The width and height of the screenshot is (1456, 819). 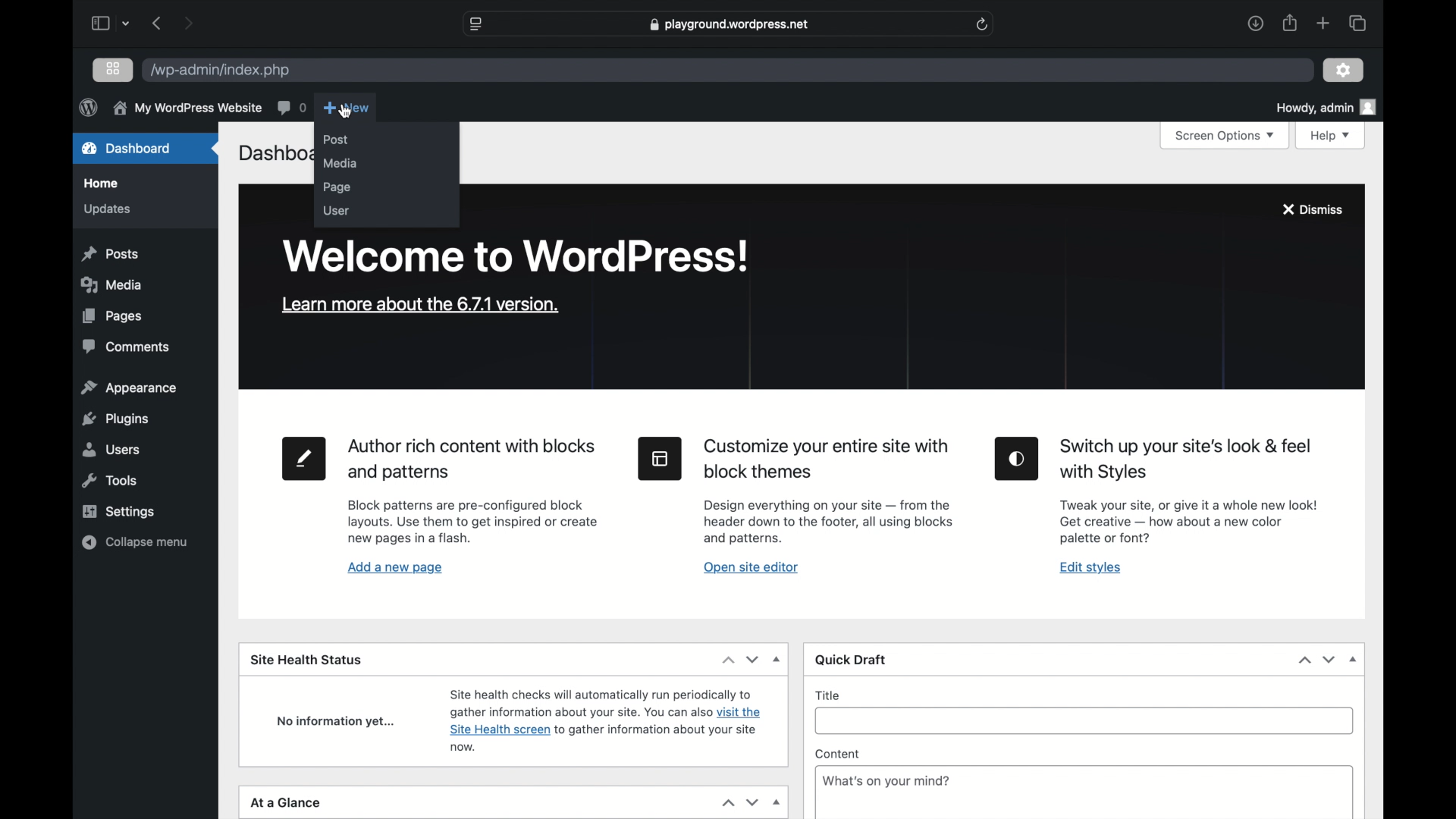 What do you see at coordinates (112, 315) in the screenshot?
I see `pages` at bounding box center [112, 315].